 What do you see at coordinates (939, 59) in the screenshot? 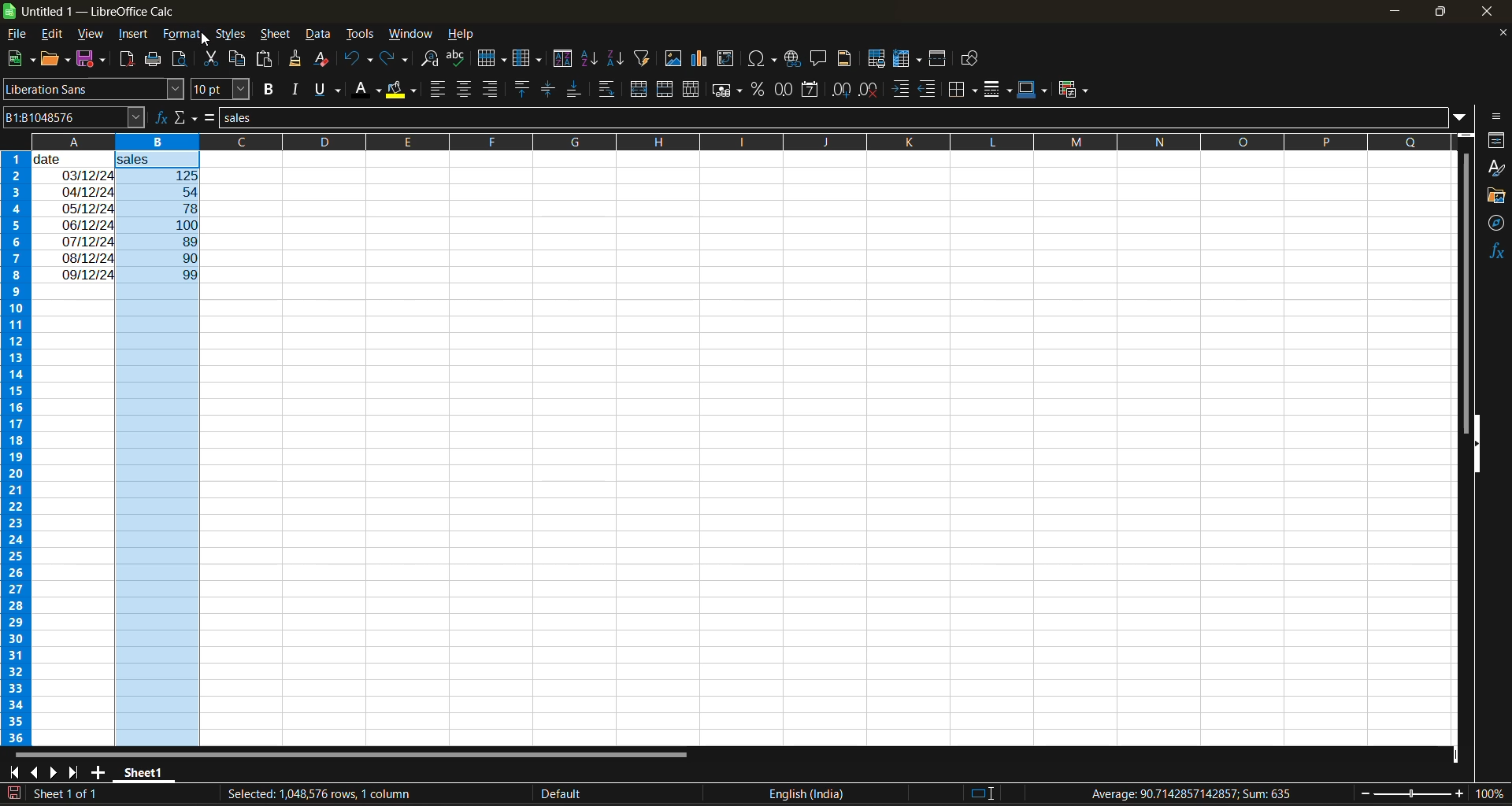
I see `split window` at bounding box center [939, 59].